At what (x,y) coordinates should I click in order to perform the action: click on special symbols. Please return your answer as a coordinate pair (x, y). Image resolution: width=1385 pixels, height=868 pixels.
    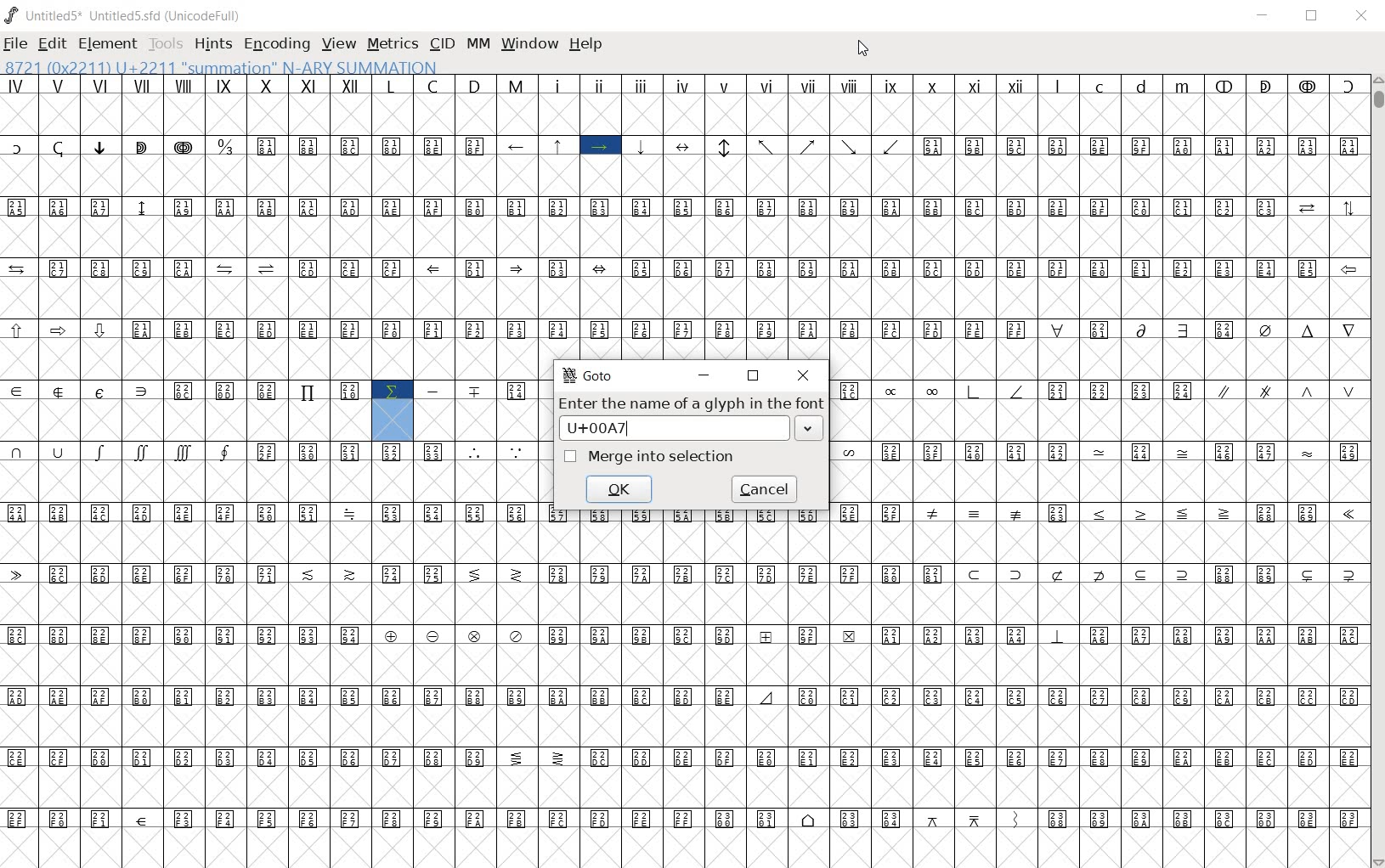
    Looking at the image, I should click on (687, 696).